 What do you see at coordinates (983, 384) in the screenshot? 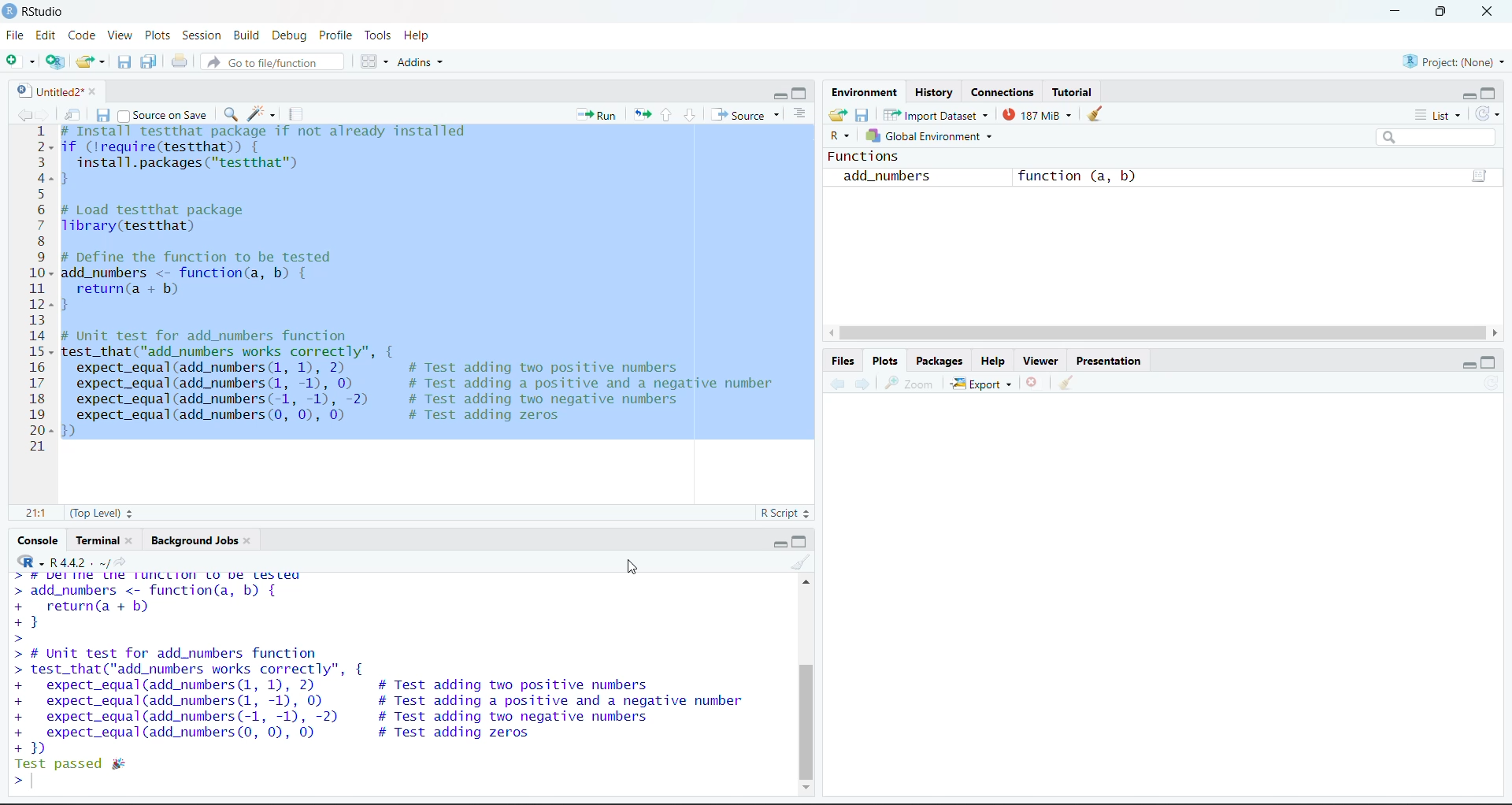
I see `Export` at bounding box center [983, 384].